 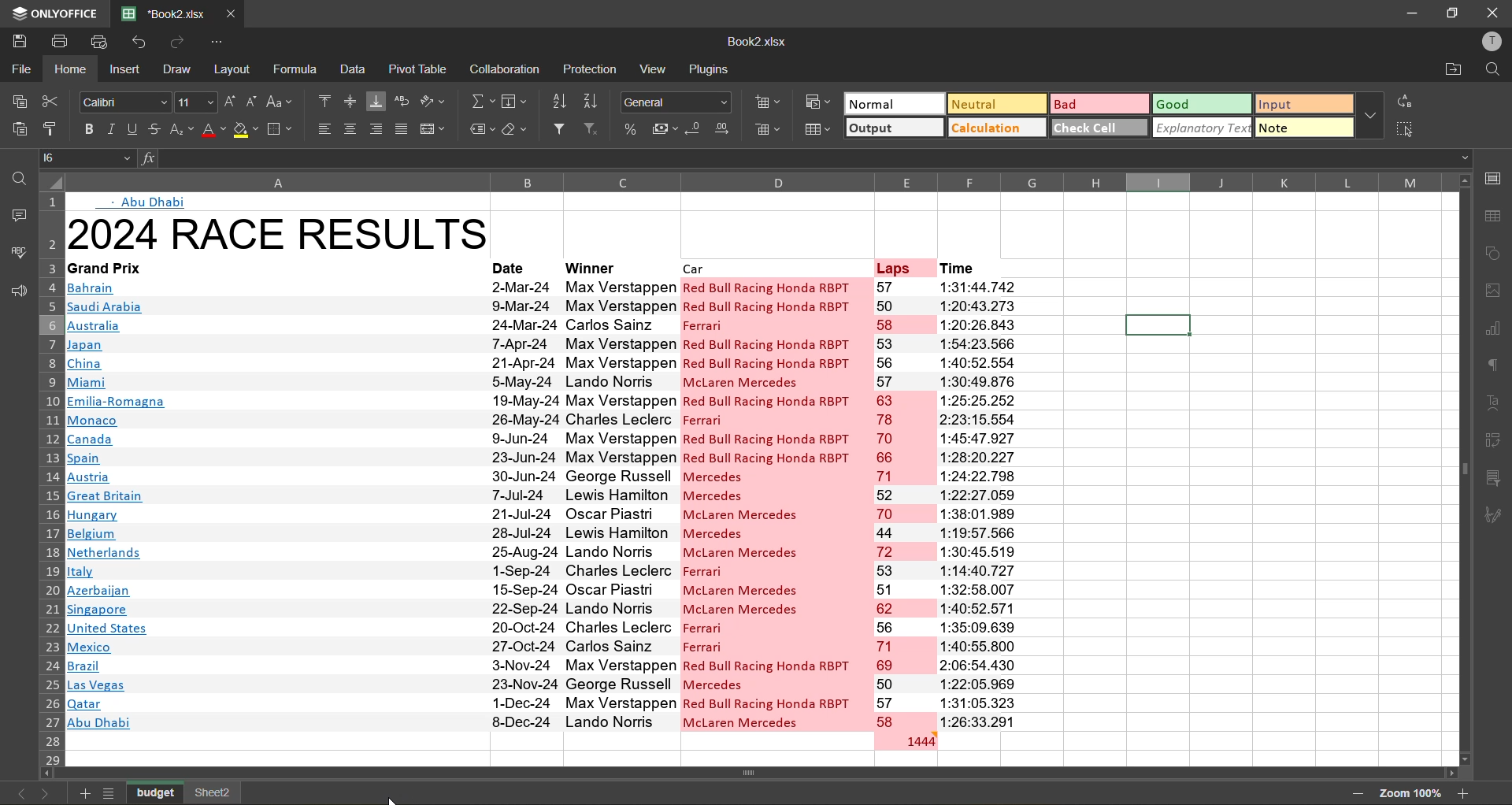 I want to click on add sheet, so click(x=86, y=792).